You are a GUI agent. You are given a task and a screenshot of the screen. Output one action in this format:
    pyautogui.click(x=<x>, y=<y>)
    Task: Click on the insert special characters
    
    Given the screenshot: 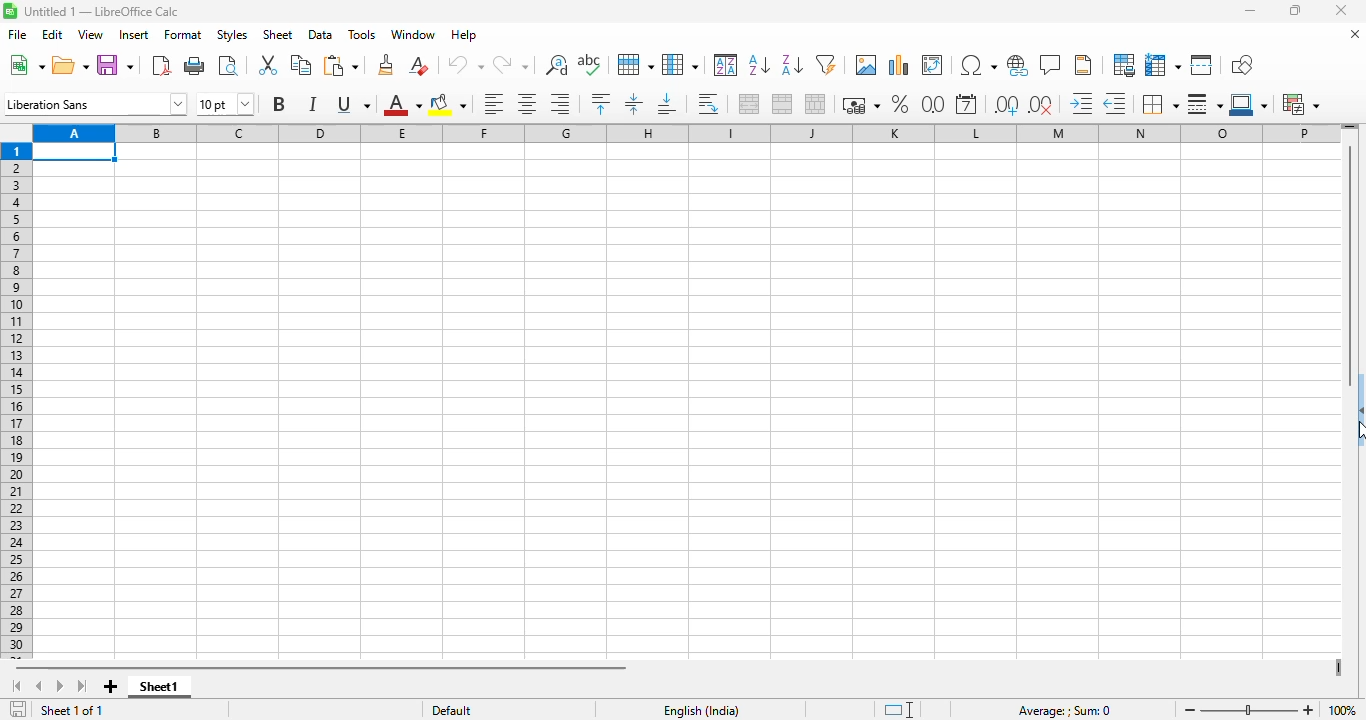 What is the action you would take?
    pyautogui.click(x=978, y=65)
    